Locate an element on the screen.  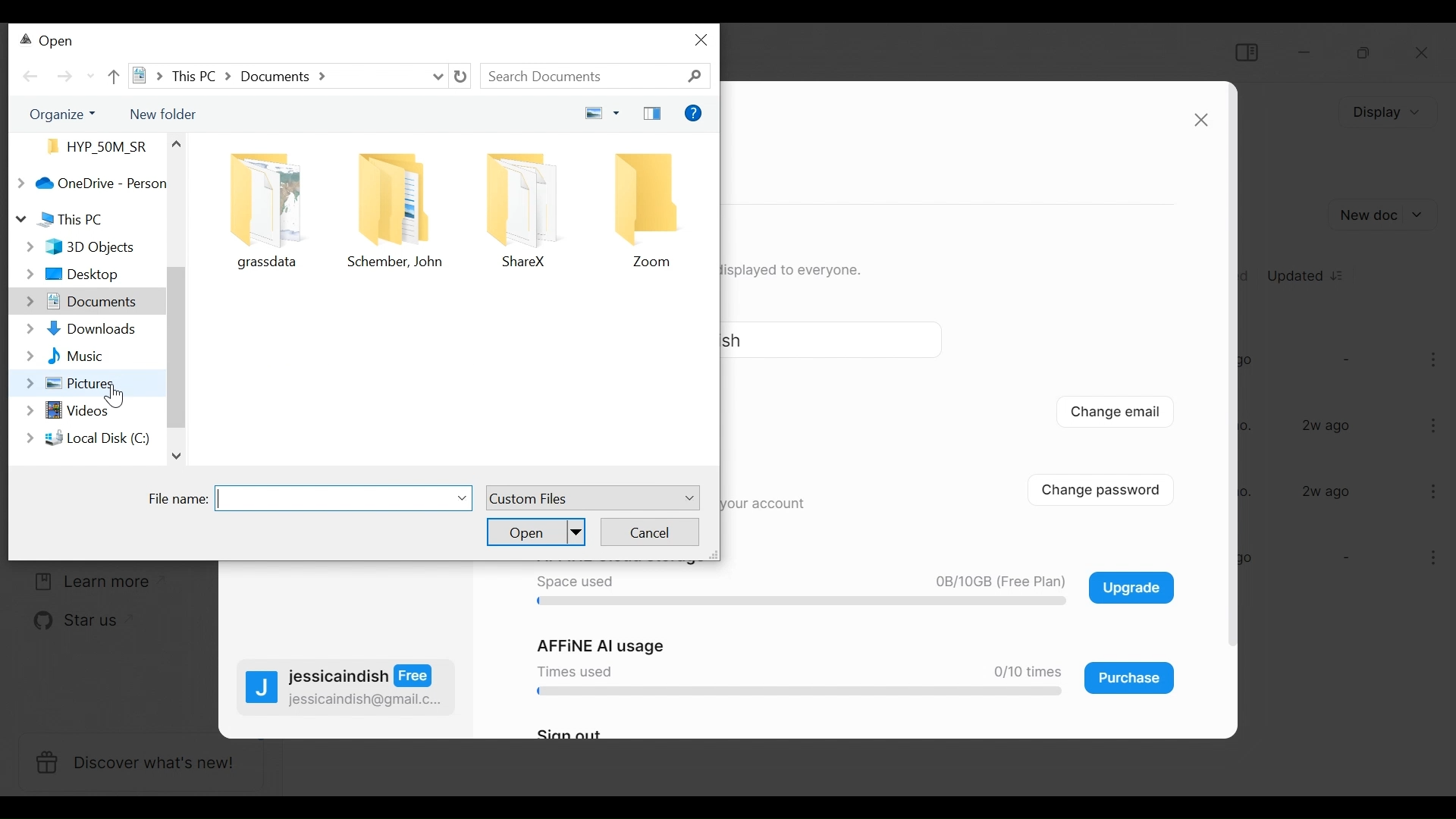
Parent is located at coordinates (112, 75).